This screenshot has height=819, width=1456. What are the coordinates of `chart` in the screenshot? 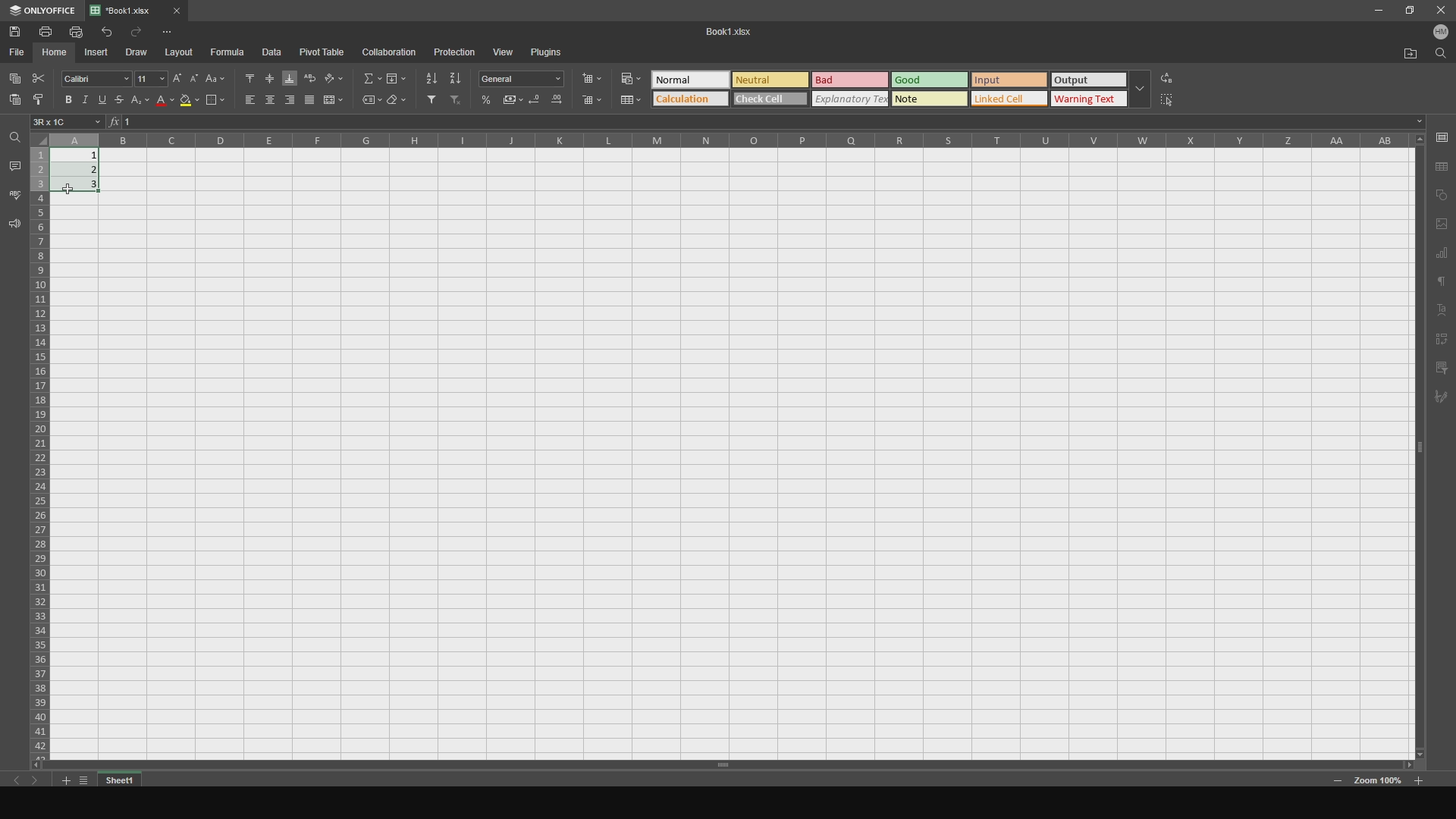 It's located at (1442, 255).